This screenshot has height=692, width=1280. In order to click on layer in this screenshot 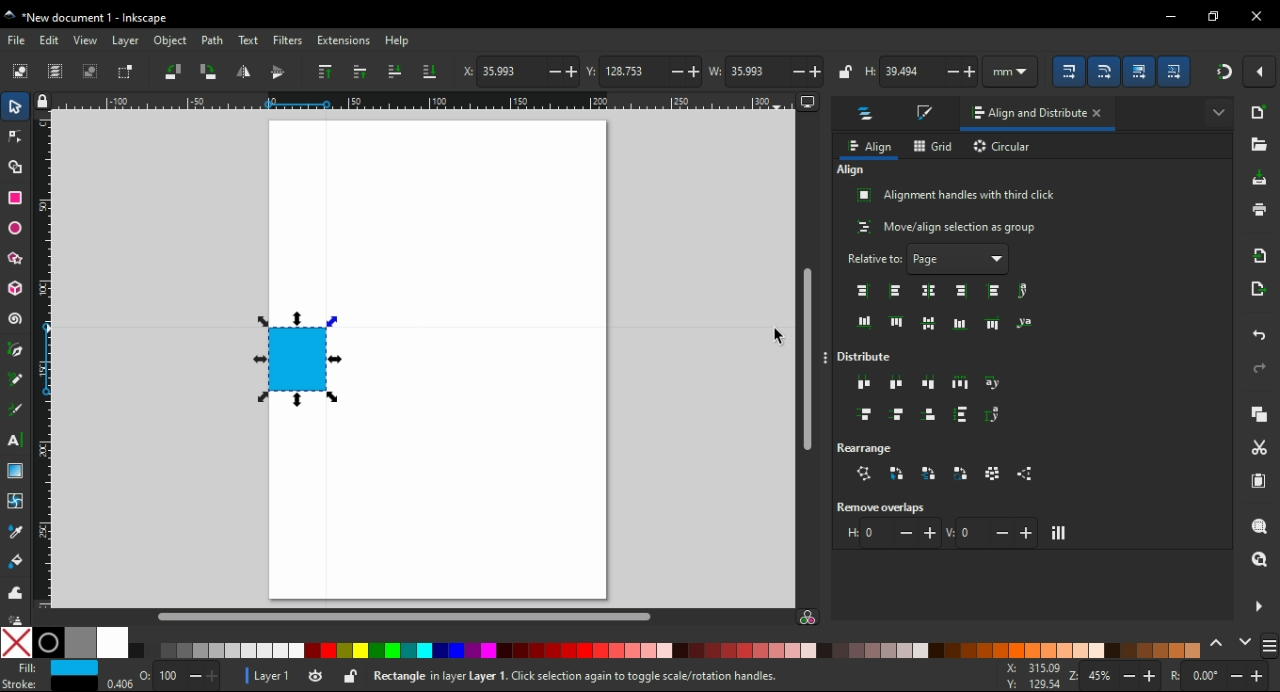, I will do `click(125, 41)`.